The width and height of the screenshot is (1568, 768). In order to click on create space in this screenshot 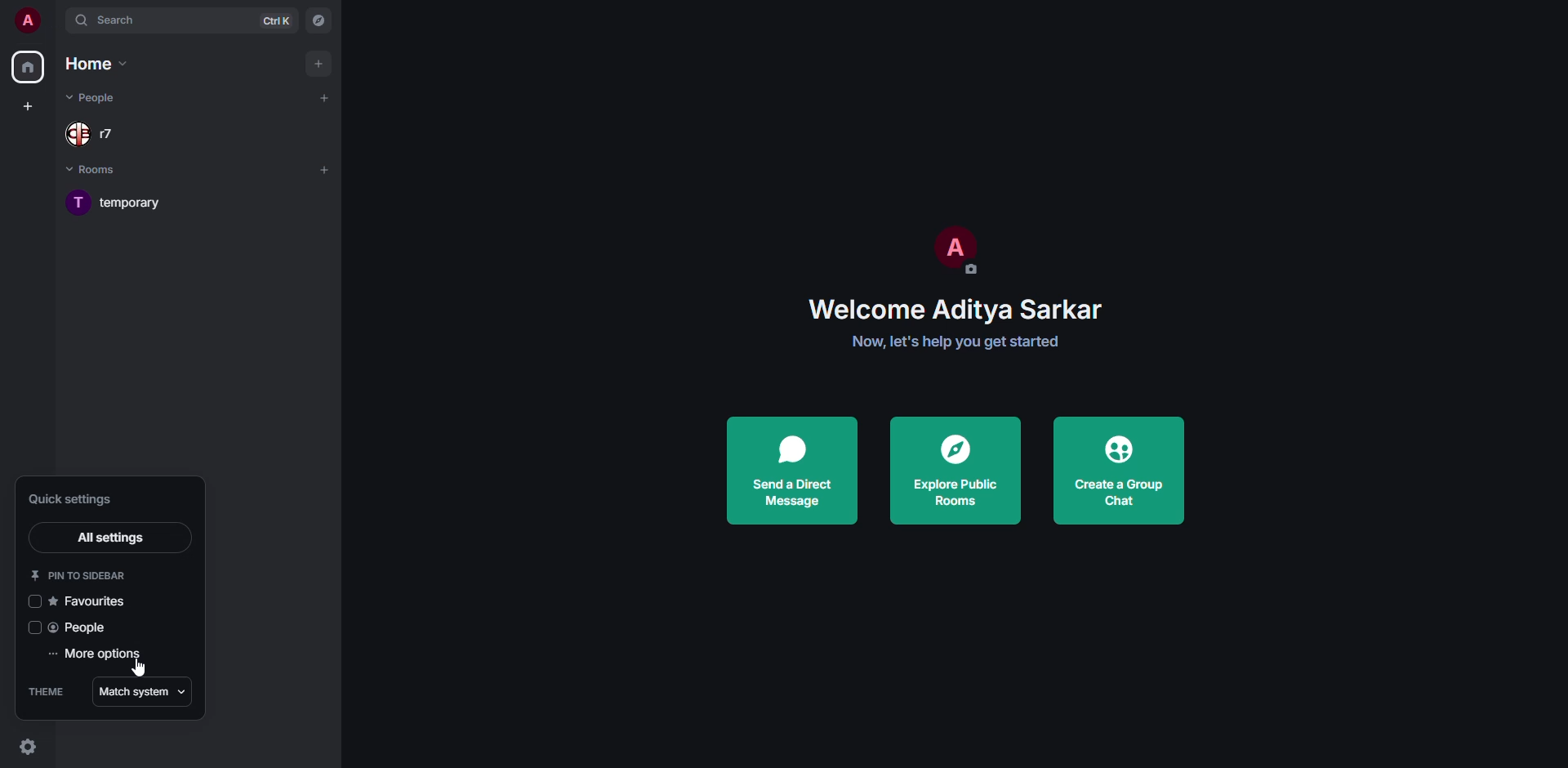, I will do `click(28, 105)`.